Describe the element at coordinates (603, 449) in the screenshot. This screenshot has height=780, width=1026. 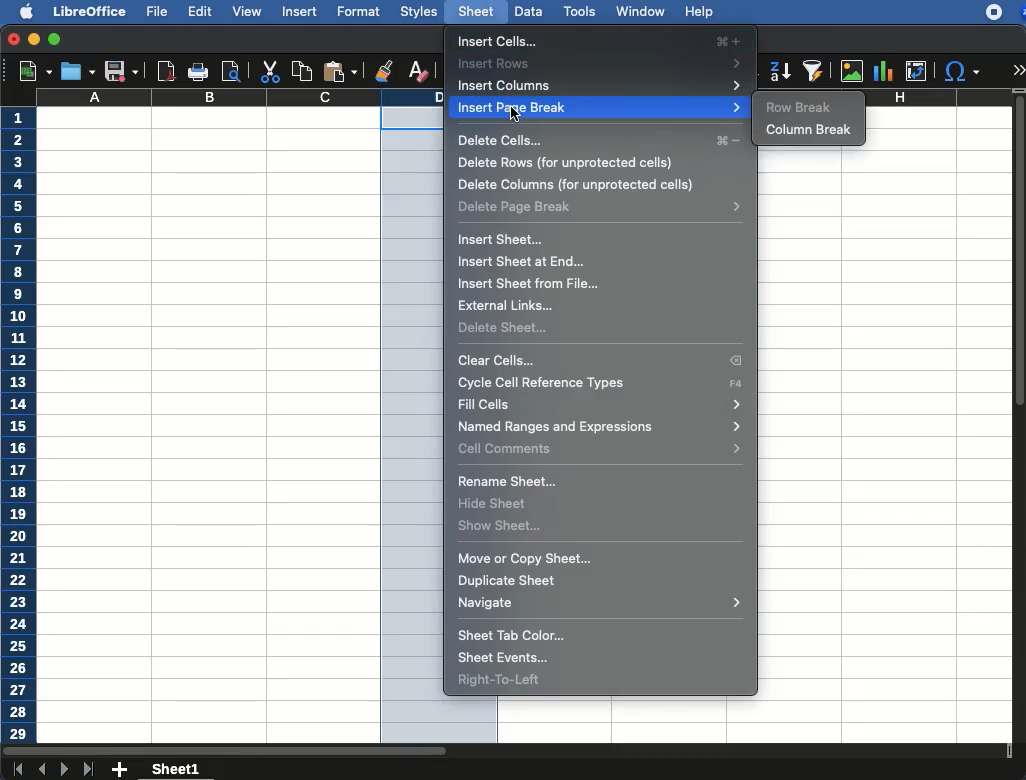
I see `cell commands` at that location.